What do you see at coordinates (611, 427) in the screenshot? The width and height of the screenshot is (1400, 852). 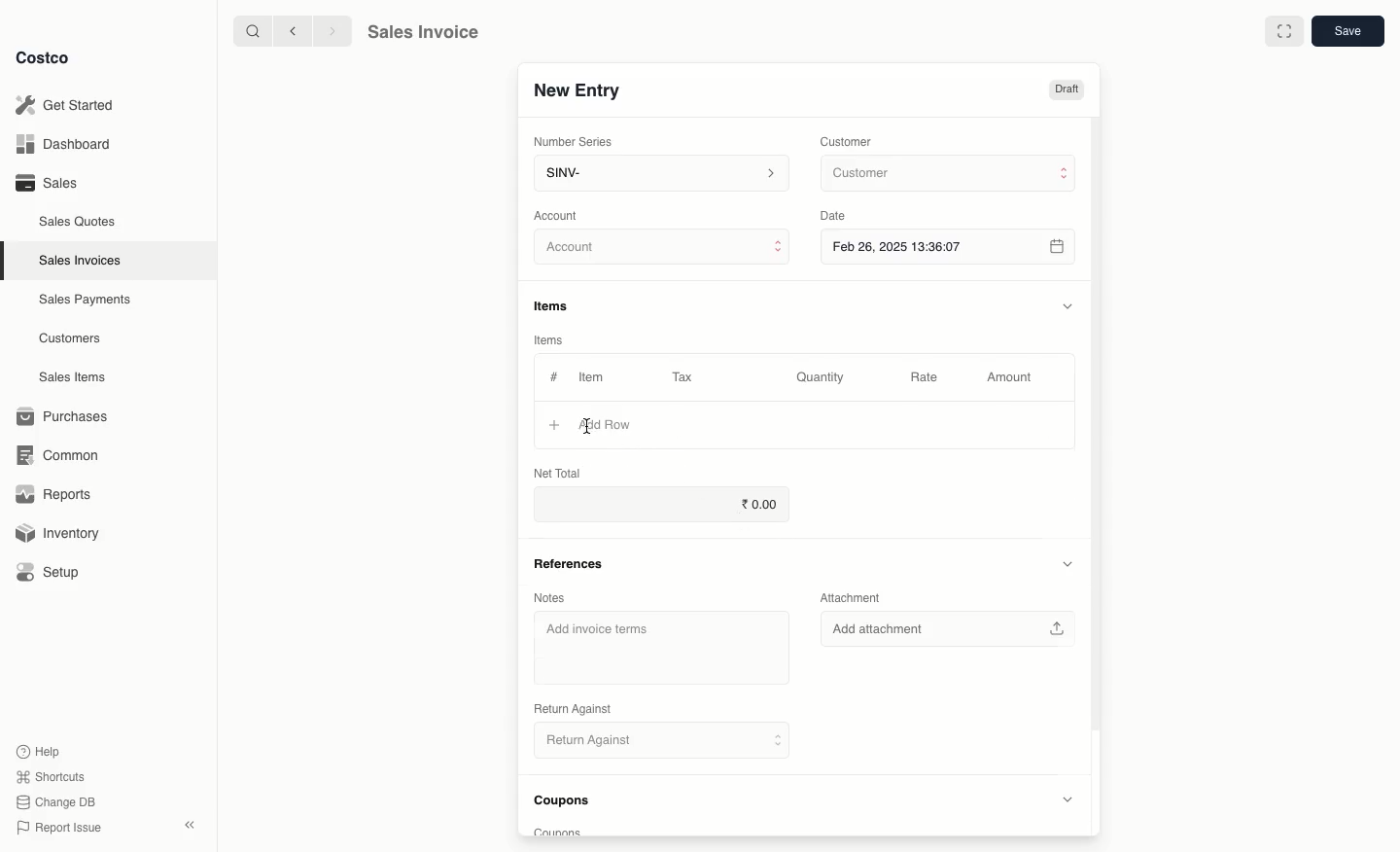 I see `Add Row` at bounding box center [611, 427].